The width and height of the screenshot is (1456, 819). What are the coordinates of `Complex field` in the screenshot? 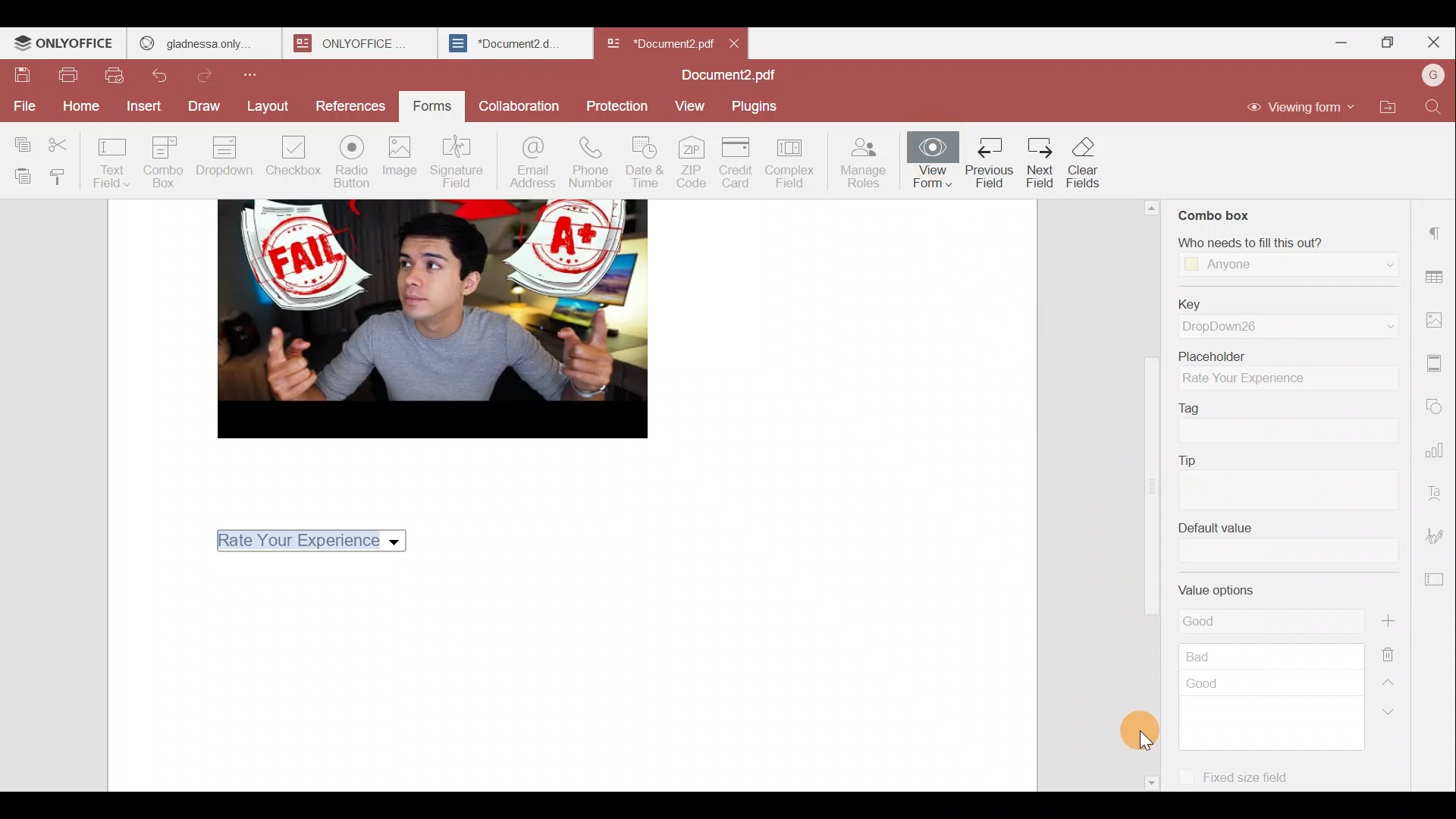 It's located at (792, 165).